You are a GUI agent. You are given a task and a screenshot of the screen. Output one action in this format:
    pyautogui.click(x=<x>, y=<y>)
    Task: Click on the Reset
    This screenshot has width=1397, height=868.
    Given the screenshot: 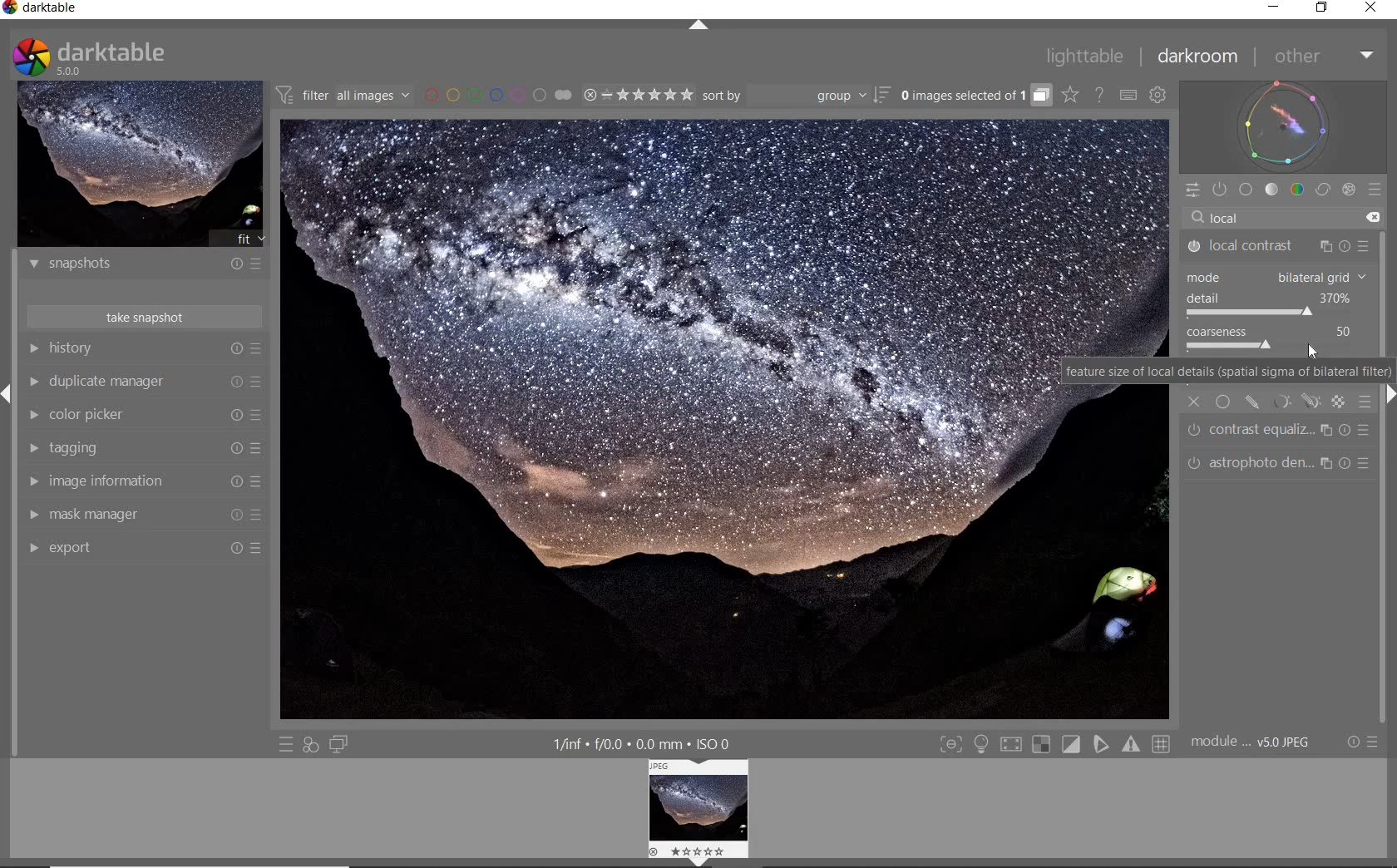 What is the action you would take?
    pyautogui.click(x=237, y=417)
    